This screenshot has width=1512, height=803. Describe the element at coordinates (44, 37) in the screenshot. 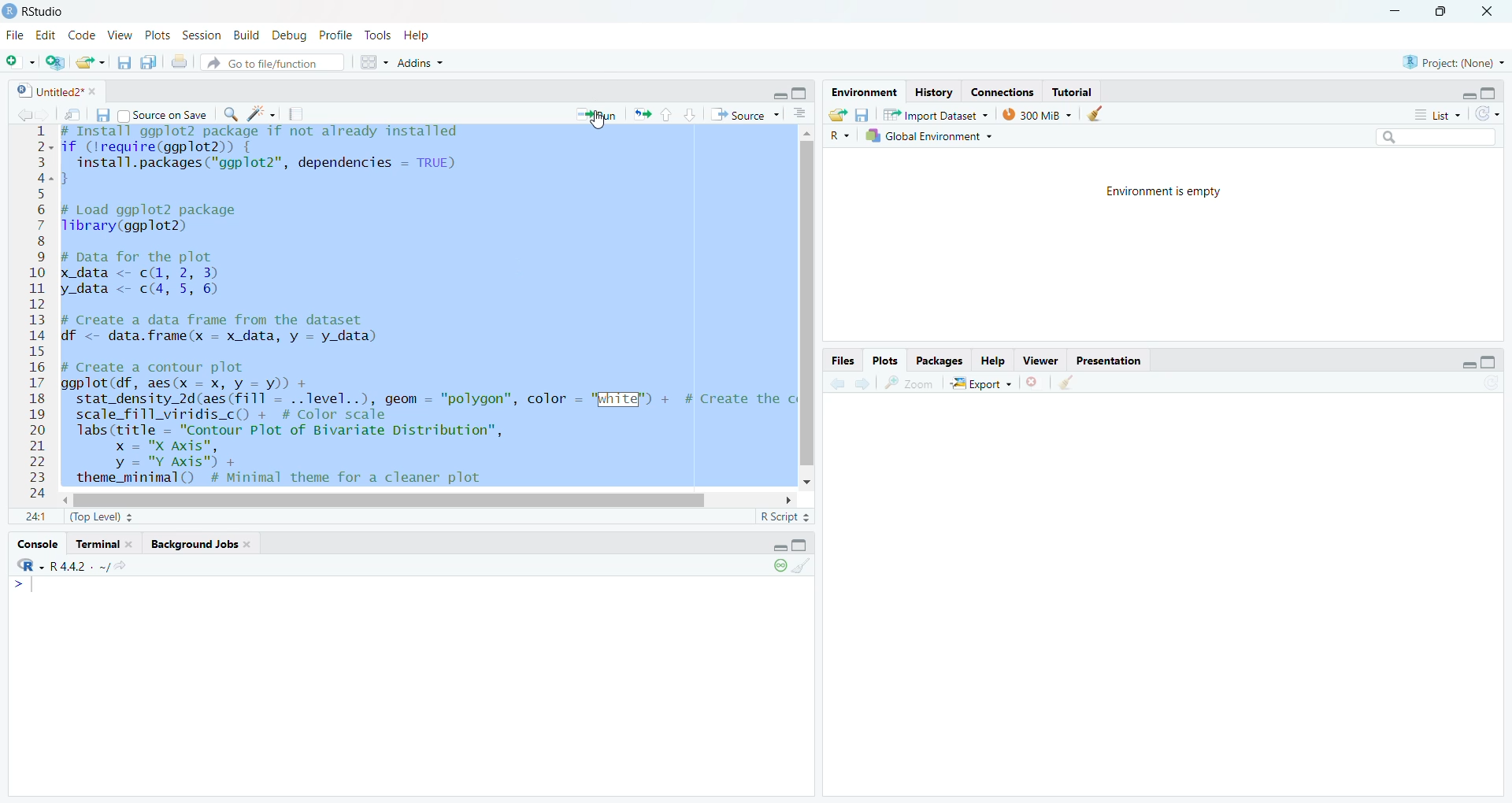

I see `Edit` at that location.